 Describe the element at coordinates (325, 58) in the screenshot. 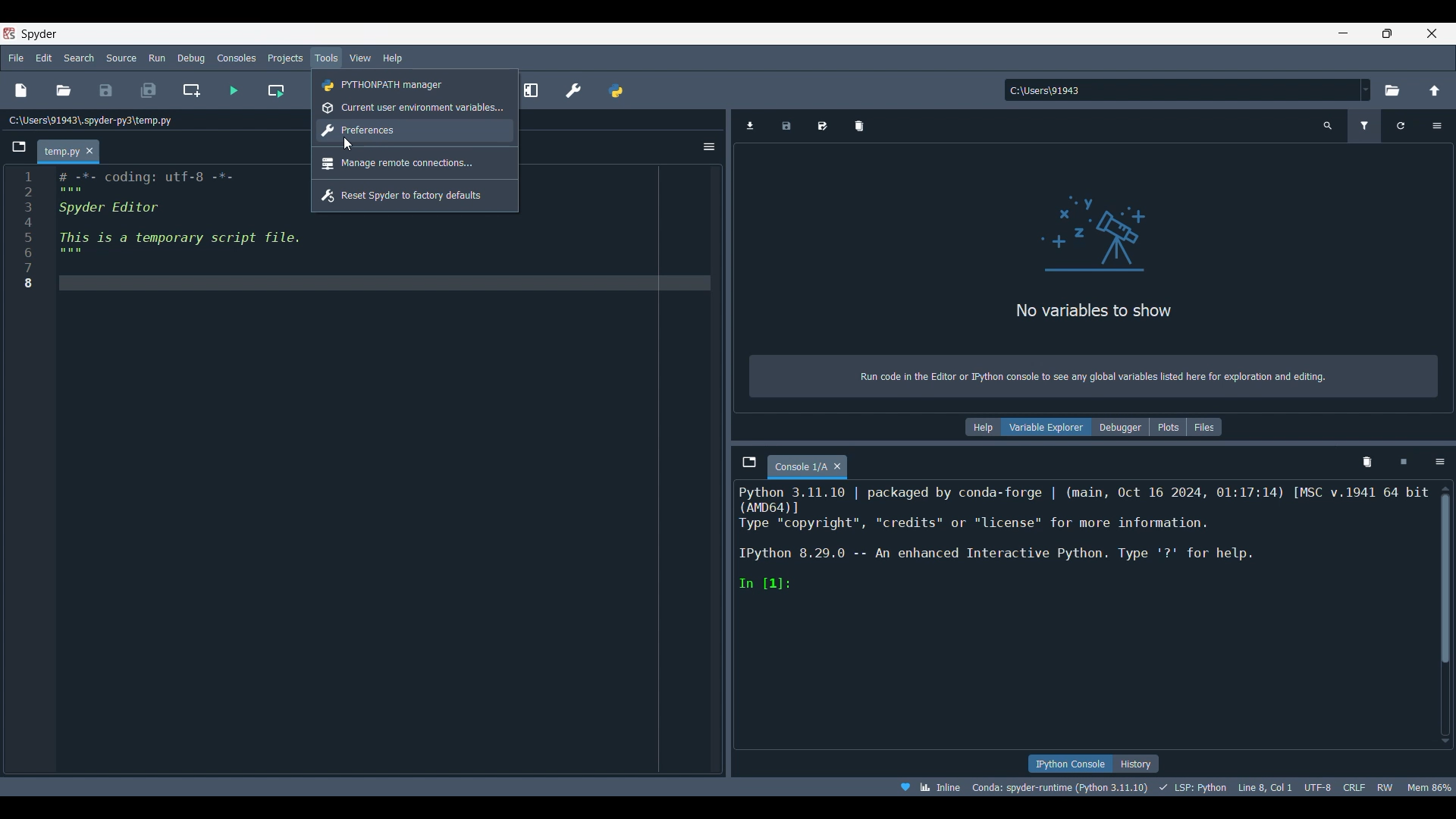

I see `Tools menu` at that location.